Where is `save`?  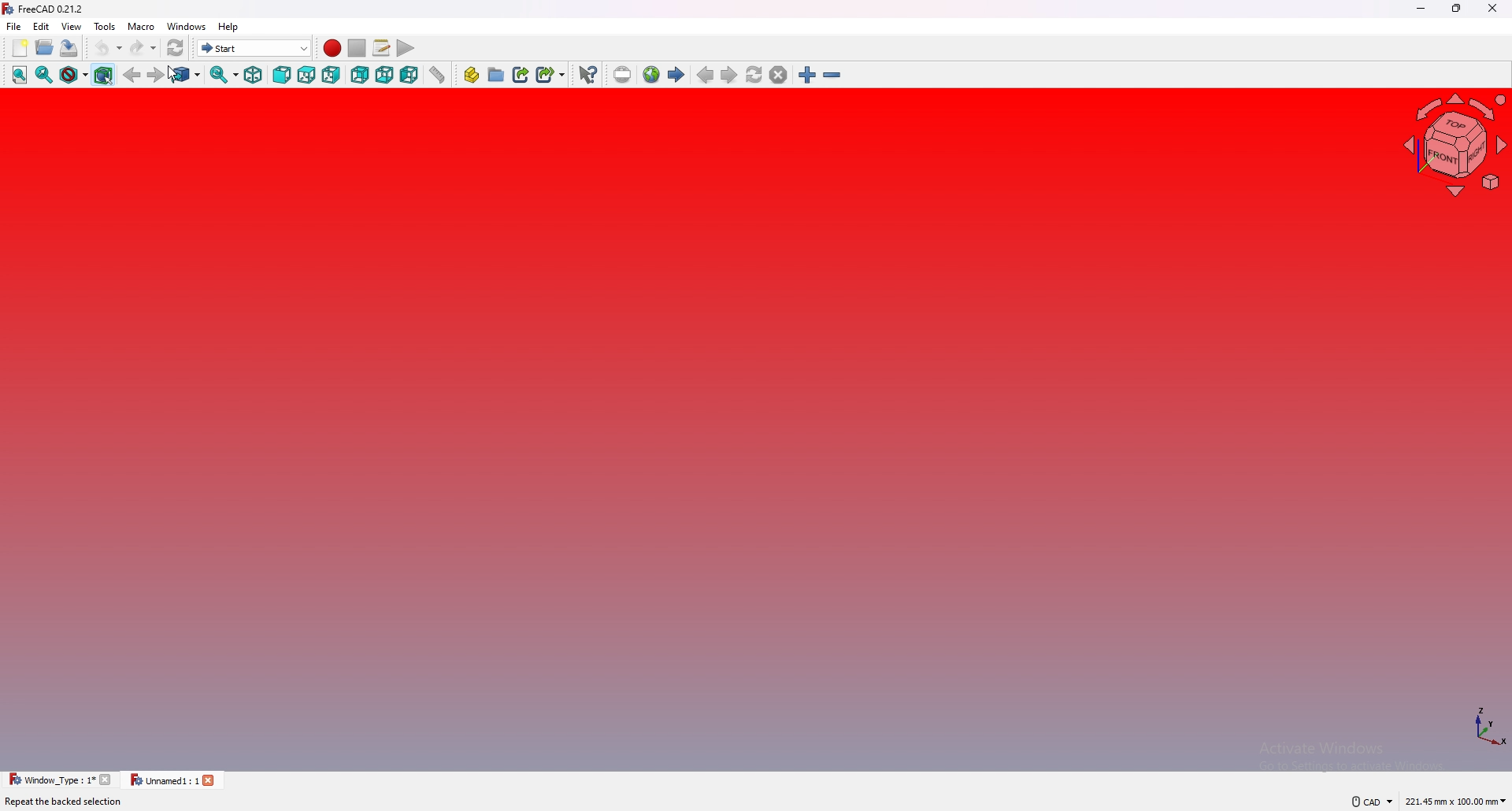 save is located at coordinates (69, 47).